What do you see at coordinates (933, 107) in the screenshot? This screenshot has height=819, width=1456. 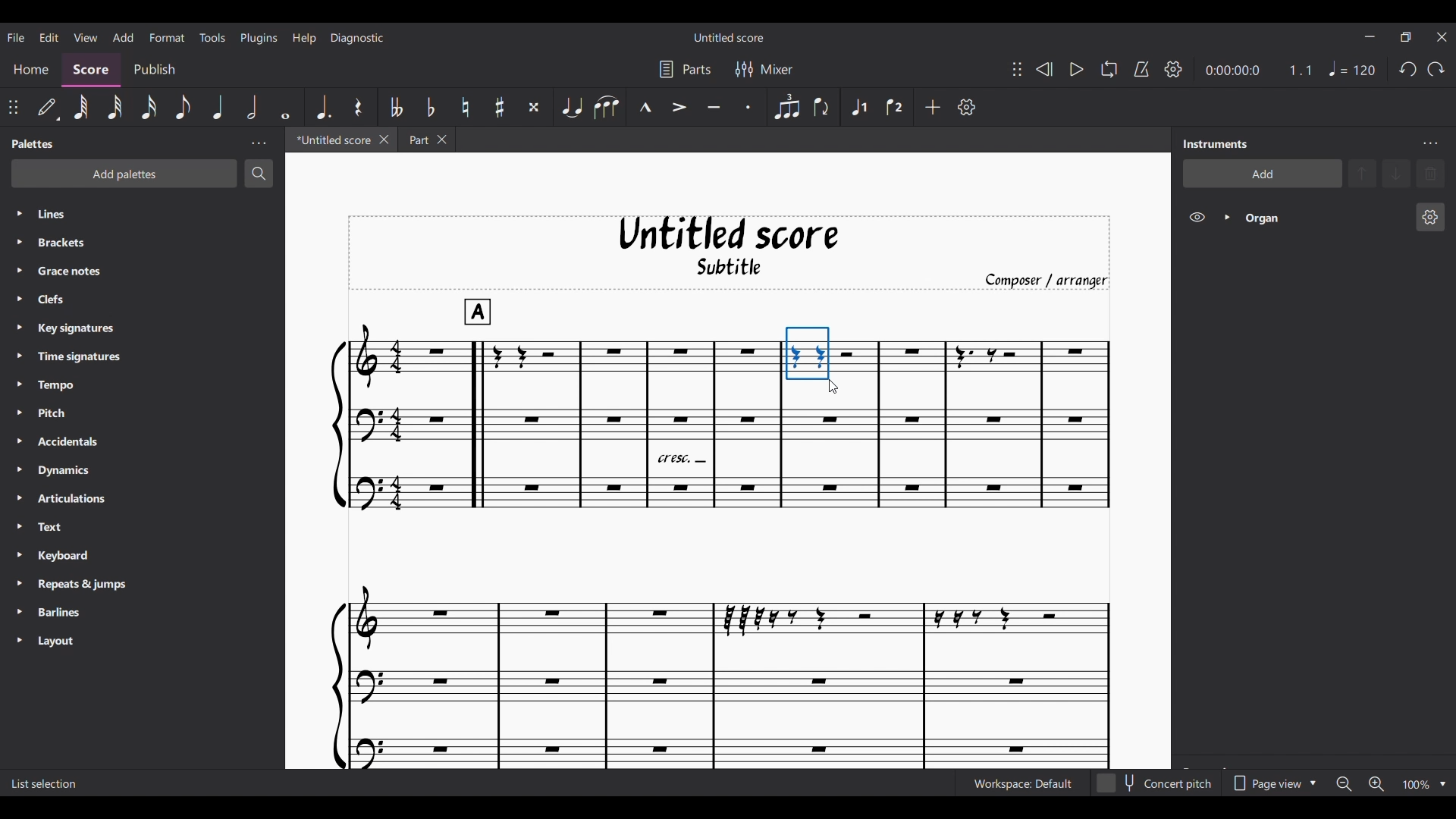 I see `Add` at bounding box center [933, 107].